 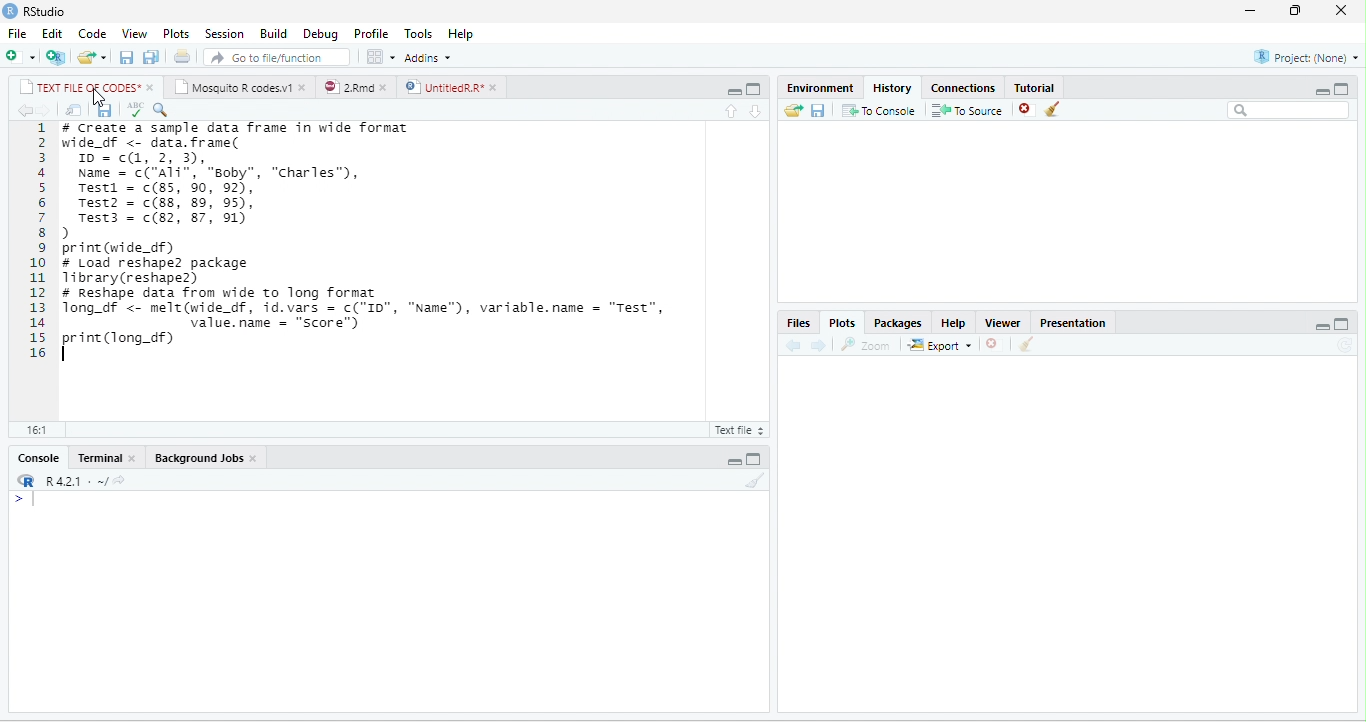 What do you see at coordinates (135, 34) in the screenshot?
I see `View` at bounding box center [135, 34].